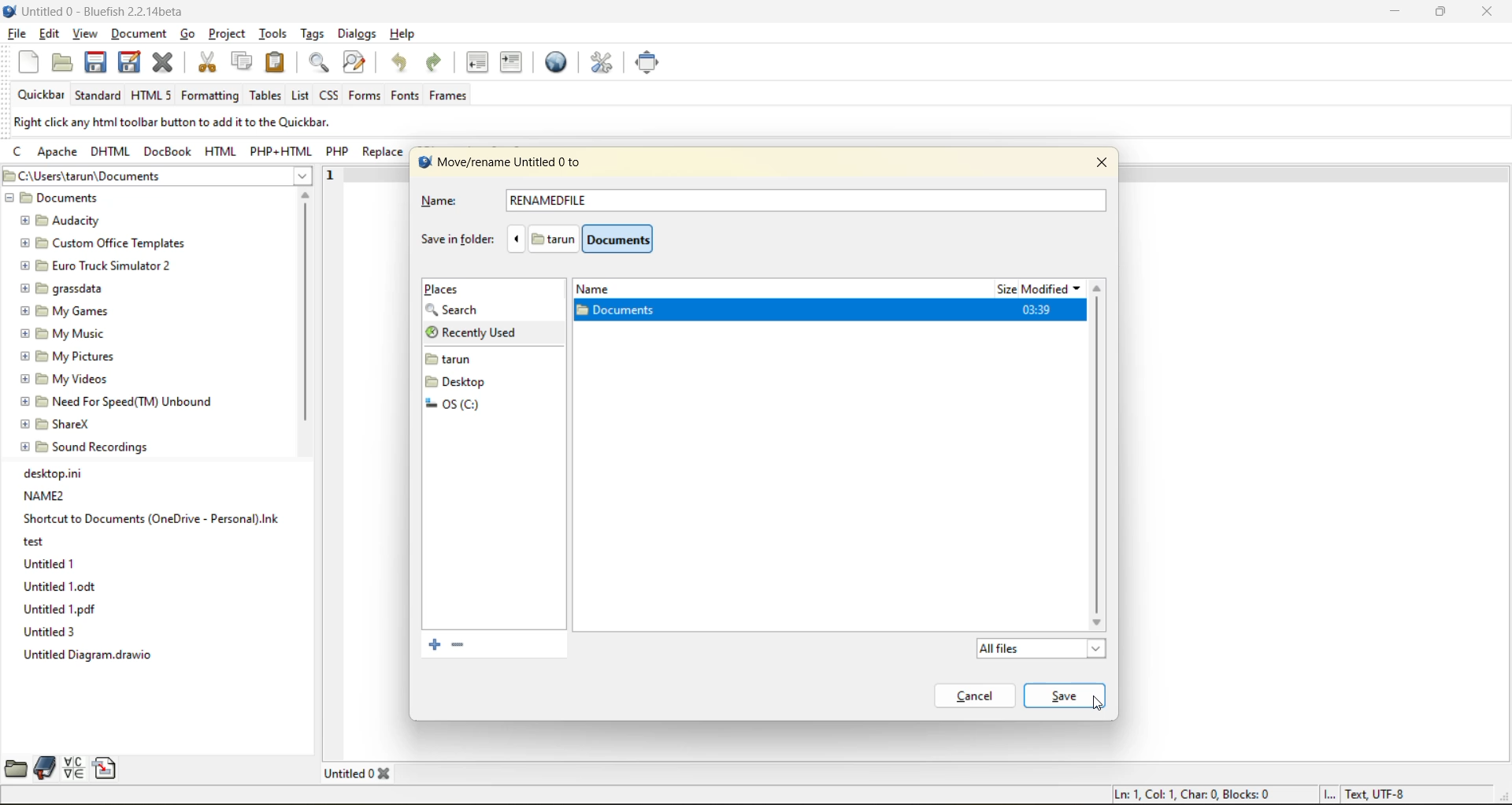 Image resolution: width=1512 pixels, height=805 pixels. Describe the element at coordinates (59, 587) in the screenshot. I see `Untitled1.odt` at that location.